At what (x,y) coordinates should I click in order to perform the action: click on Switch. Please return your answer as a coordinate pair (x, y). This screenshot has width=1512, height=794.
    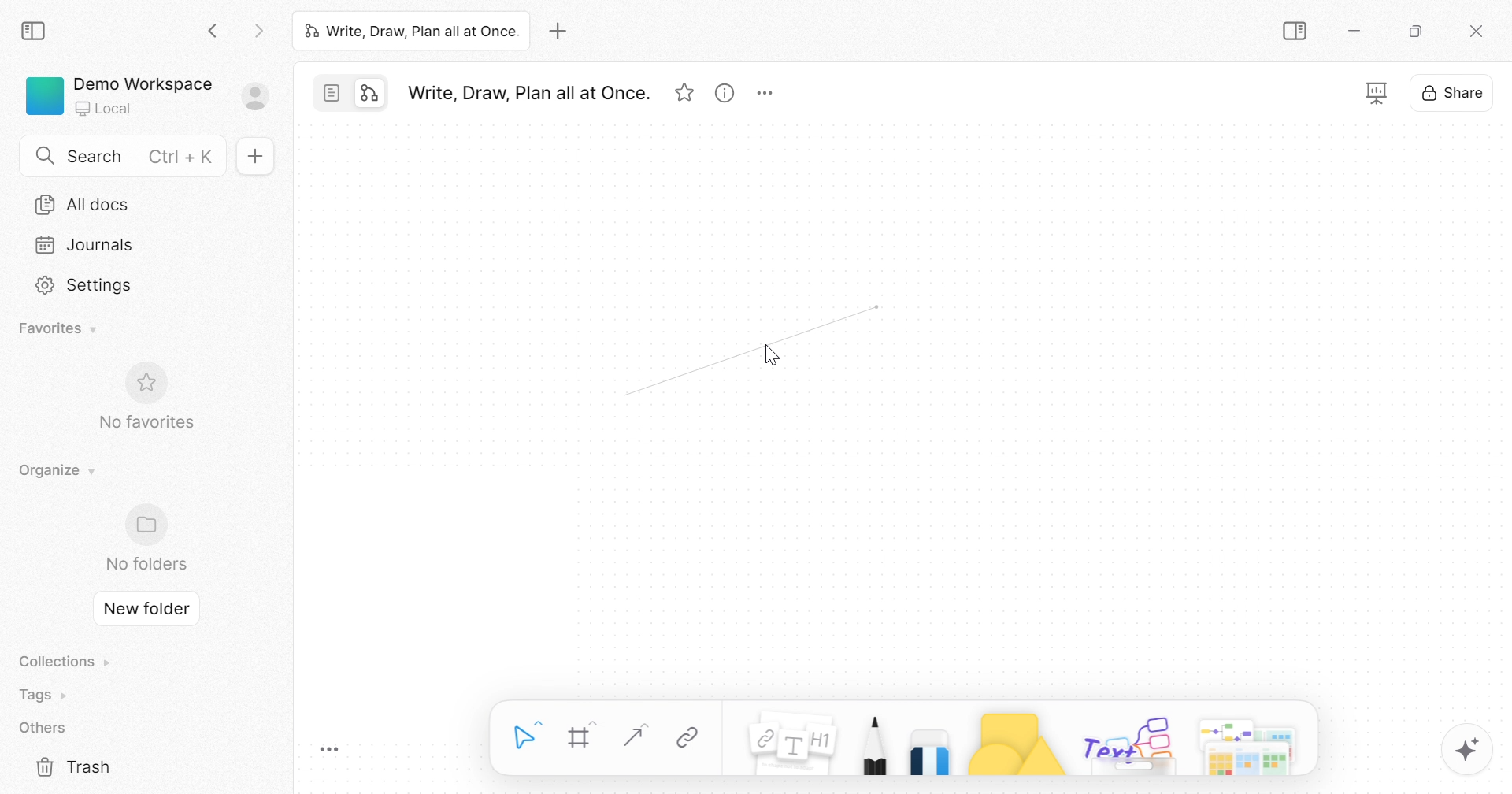
    Looking at the image, I should click on (355, 95).